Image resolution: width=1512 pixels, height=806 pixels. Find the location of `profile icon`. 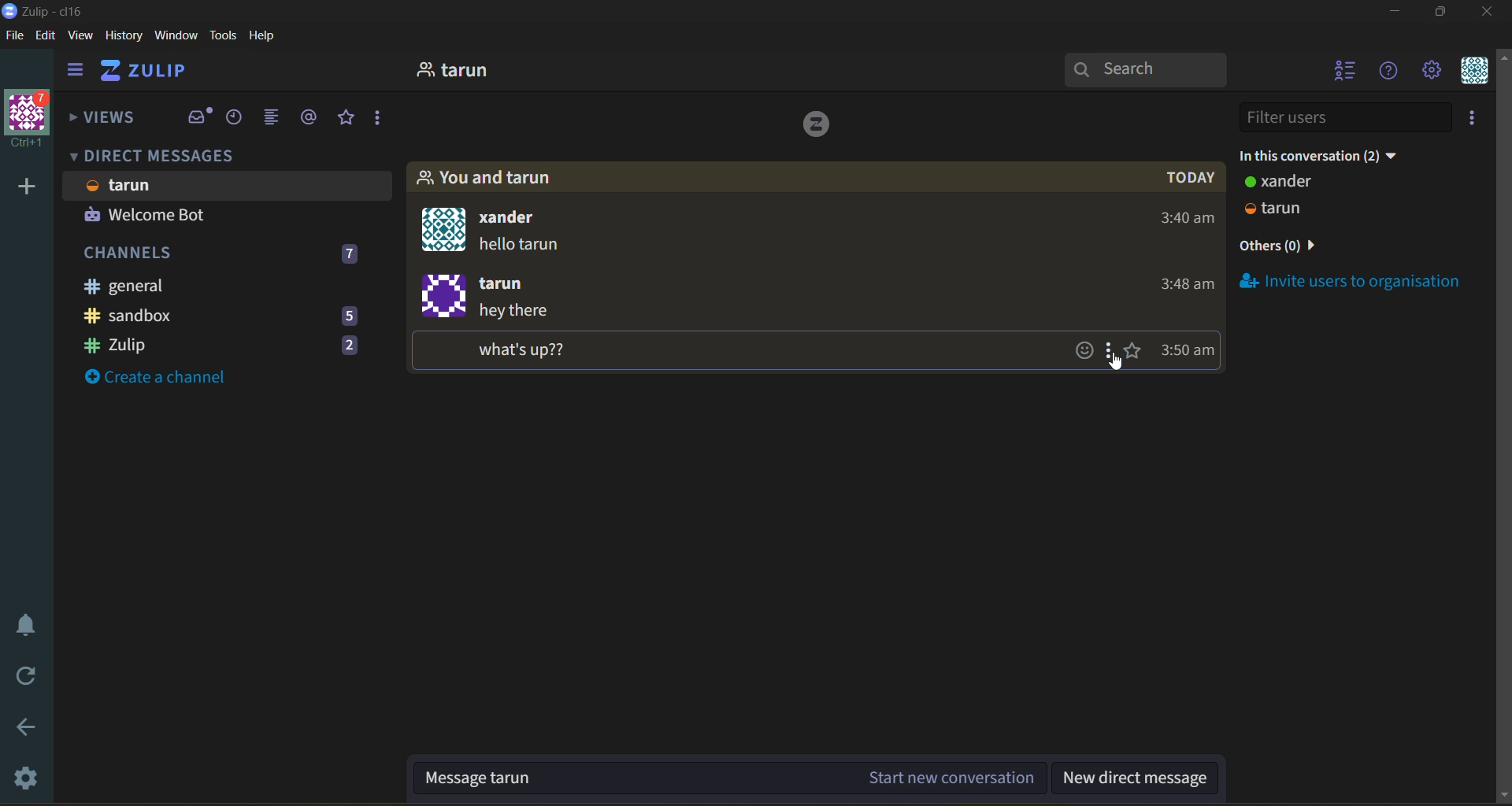

profile icon is located at coordinates (445, 228).